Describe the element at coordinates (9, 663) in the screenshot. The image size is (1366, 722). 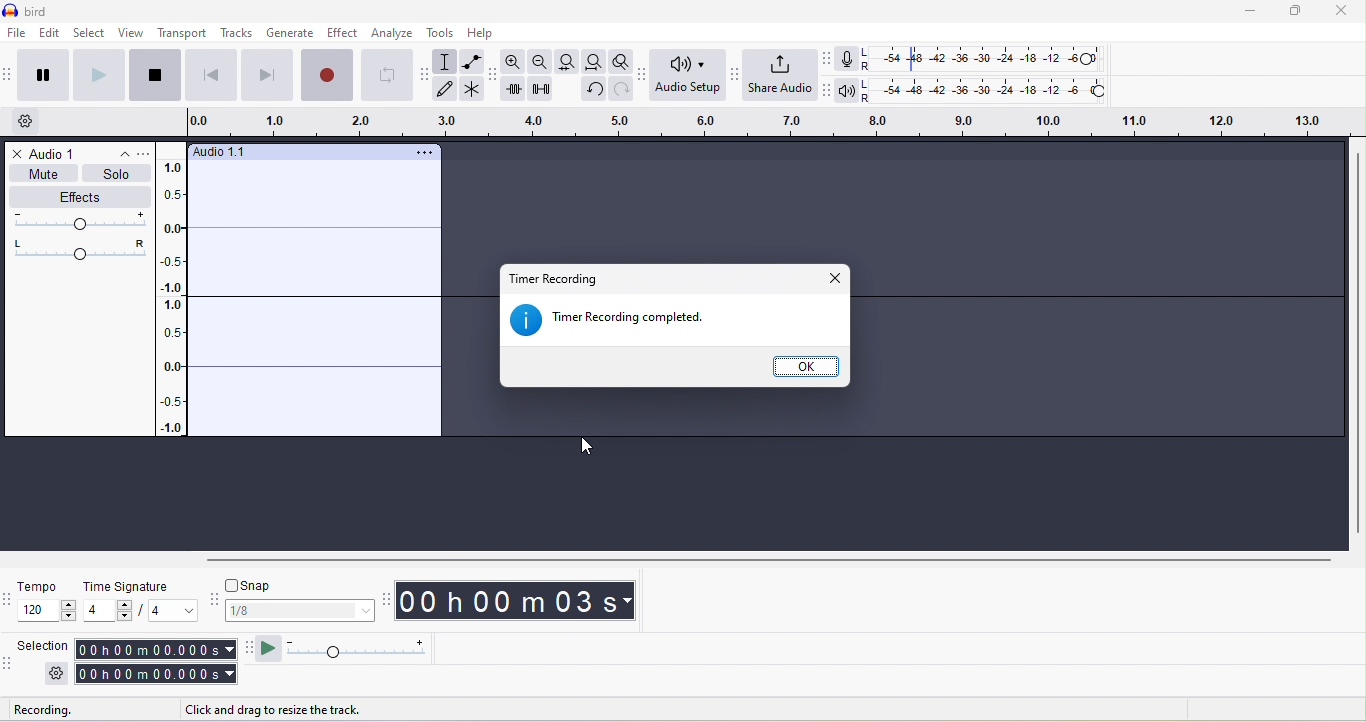
I see `audacity selection toolbar` at that location.